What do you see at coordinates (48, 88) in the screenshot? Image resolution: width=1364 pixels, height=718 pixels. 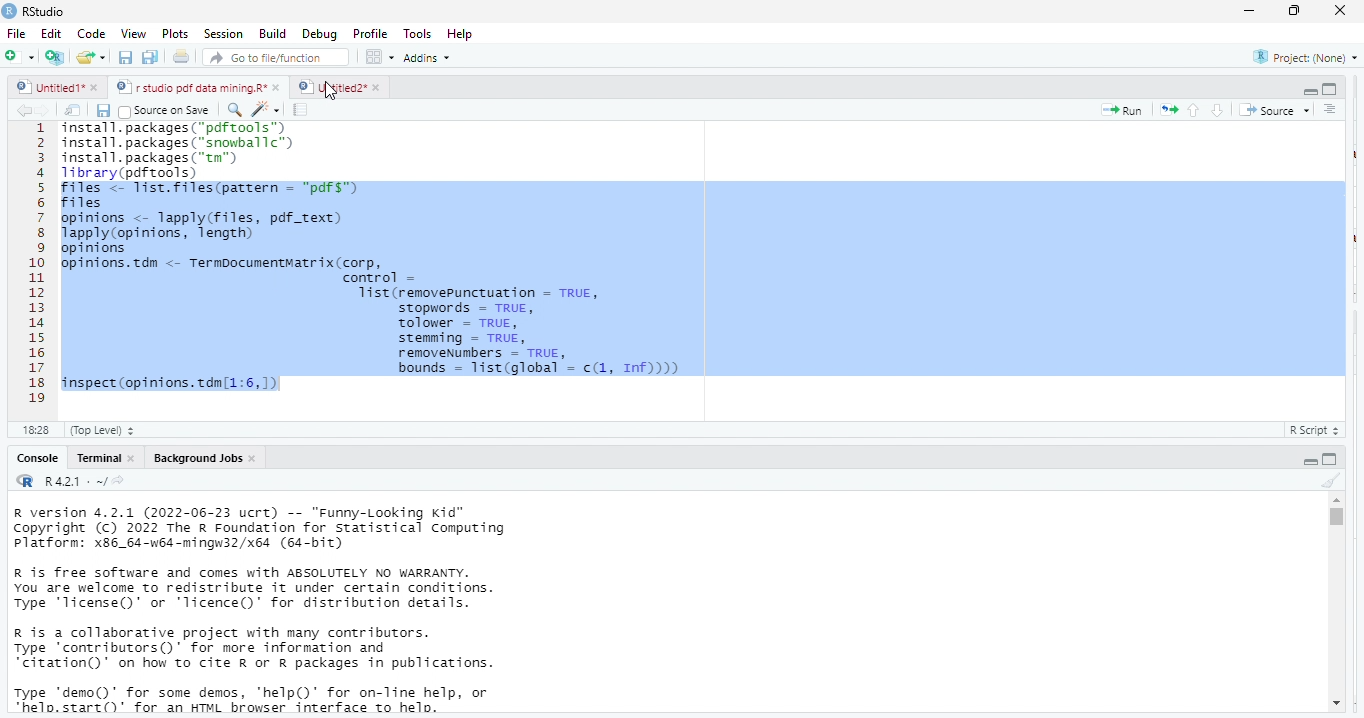 I see `untitled1` at bounding box center [48, 88].